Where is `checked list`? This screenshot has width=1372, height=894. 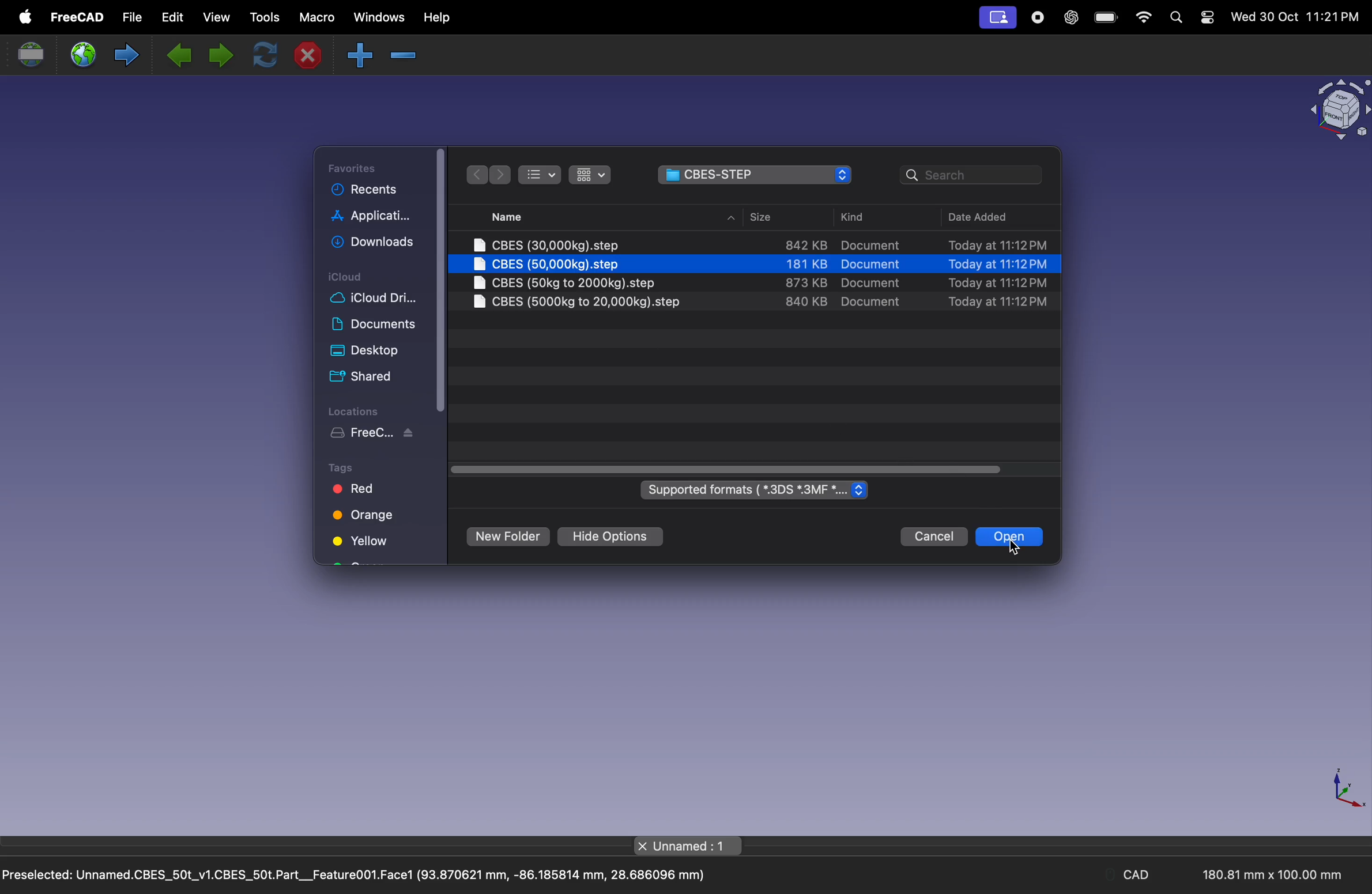
checked list is located at coordinates (592, 176).